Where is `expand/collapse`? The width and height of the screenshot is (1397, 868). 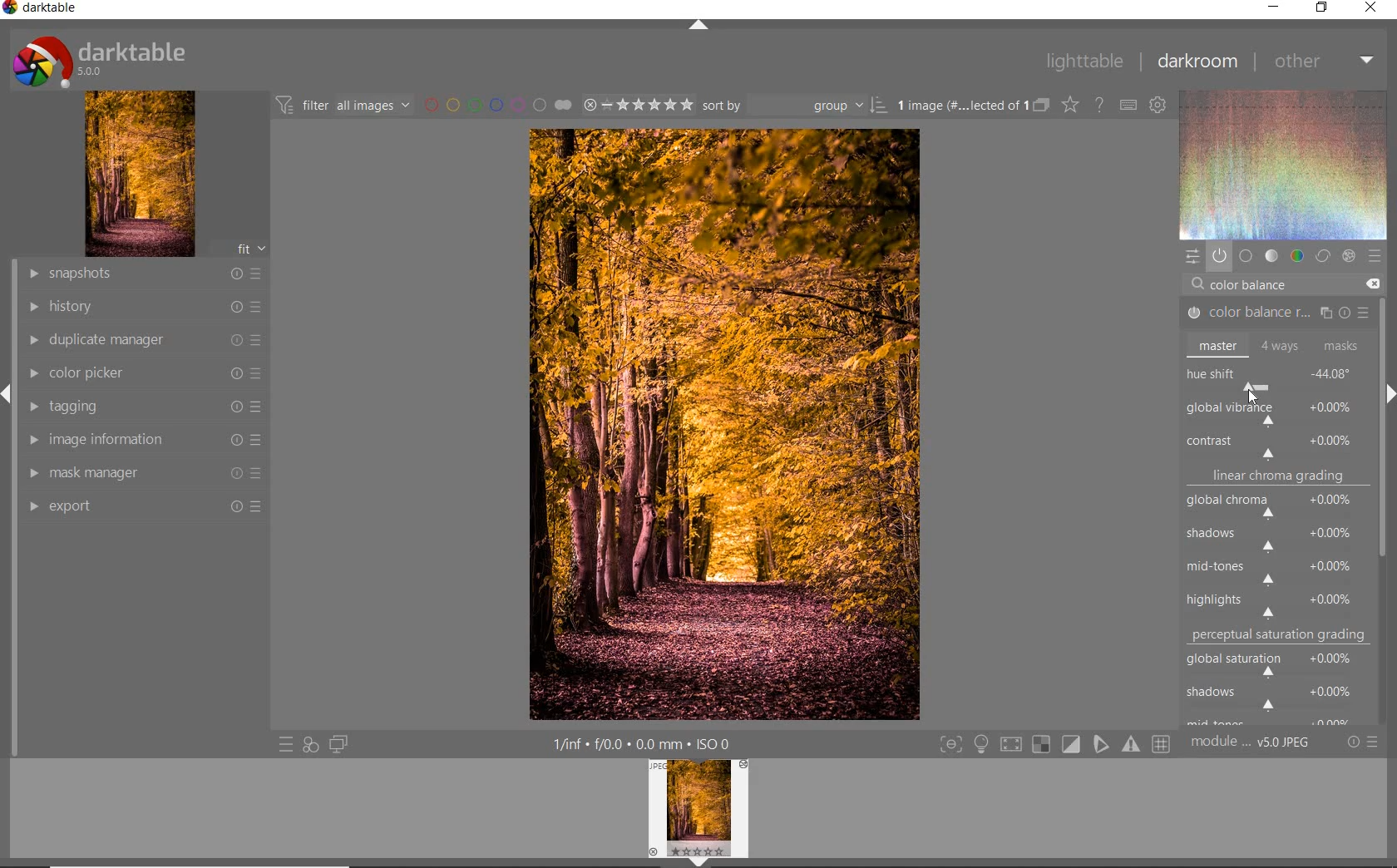 expand/collapse is located at coordinates (1389, 388).